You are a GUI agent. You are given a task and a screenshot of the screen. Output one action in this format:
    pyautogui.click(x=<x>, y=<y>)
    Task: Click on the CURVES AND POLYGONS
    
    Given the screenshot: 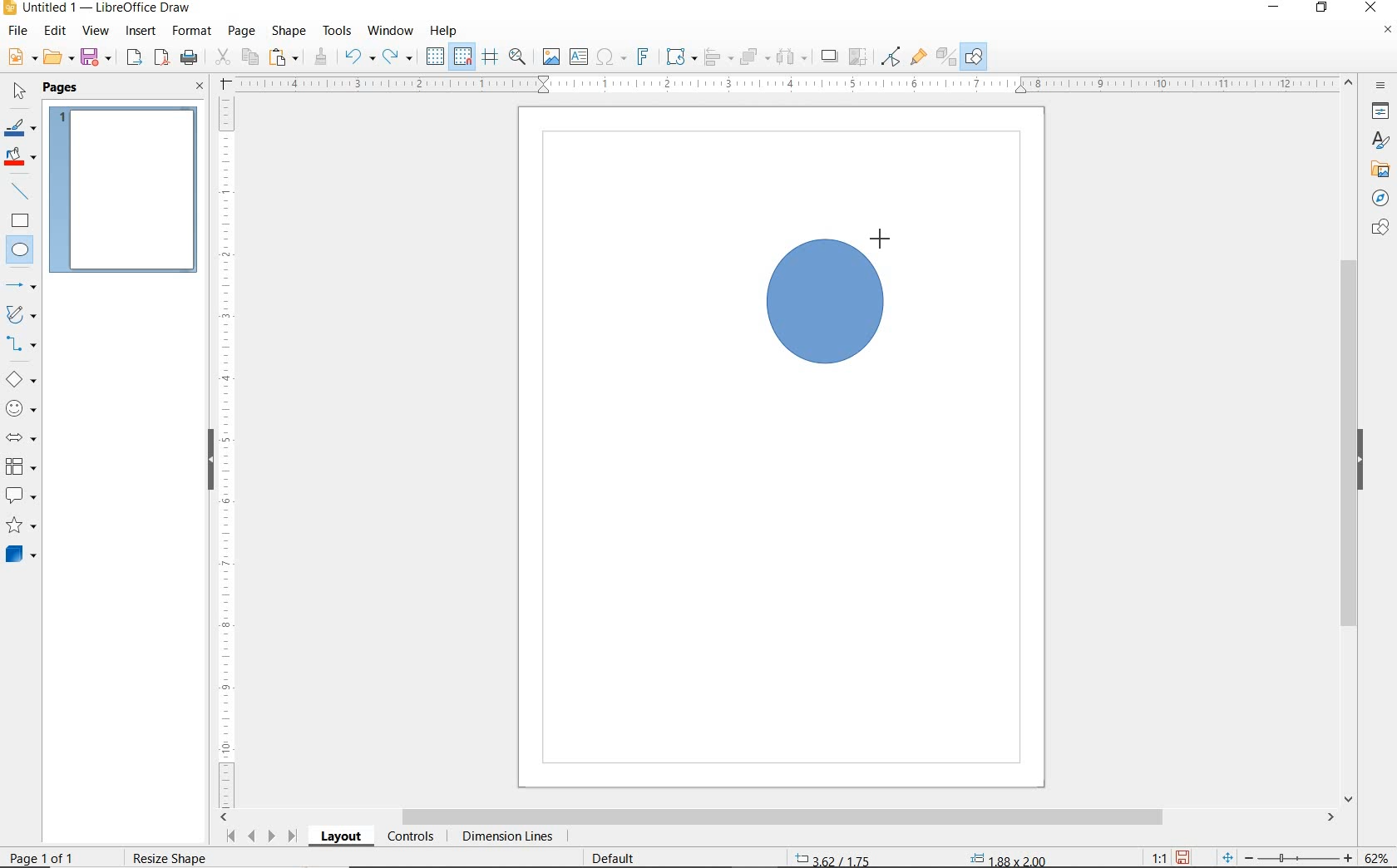 What is the action you would take?
    pyautogui.click(x=20, y=316)
    